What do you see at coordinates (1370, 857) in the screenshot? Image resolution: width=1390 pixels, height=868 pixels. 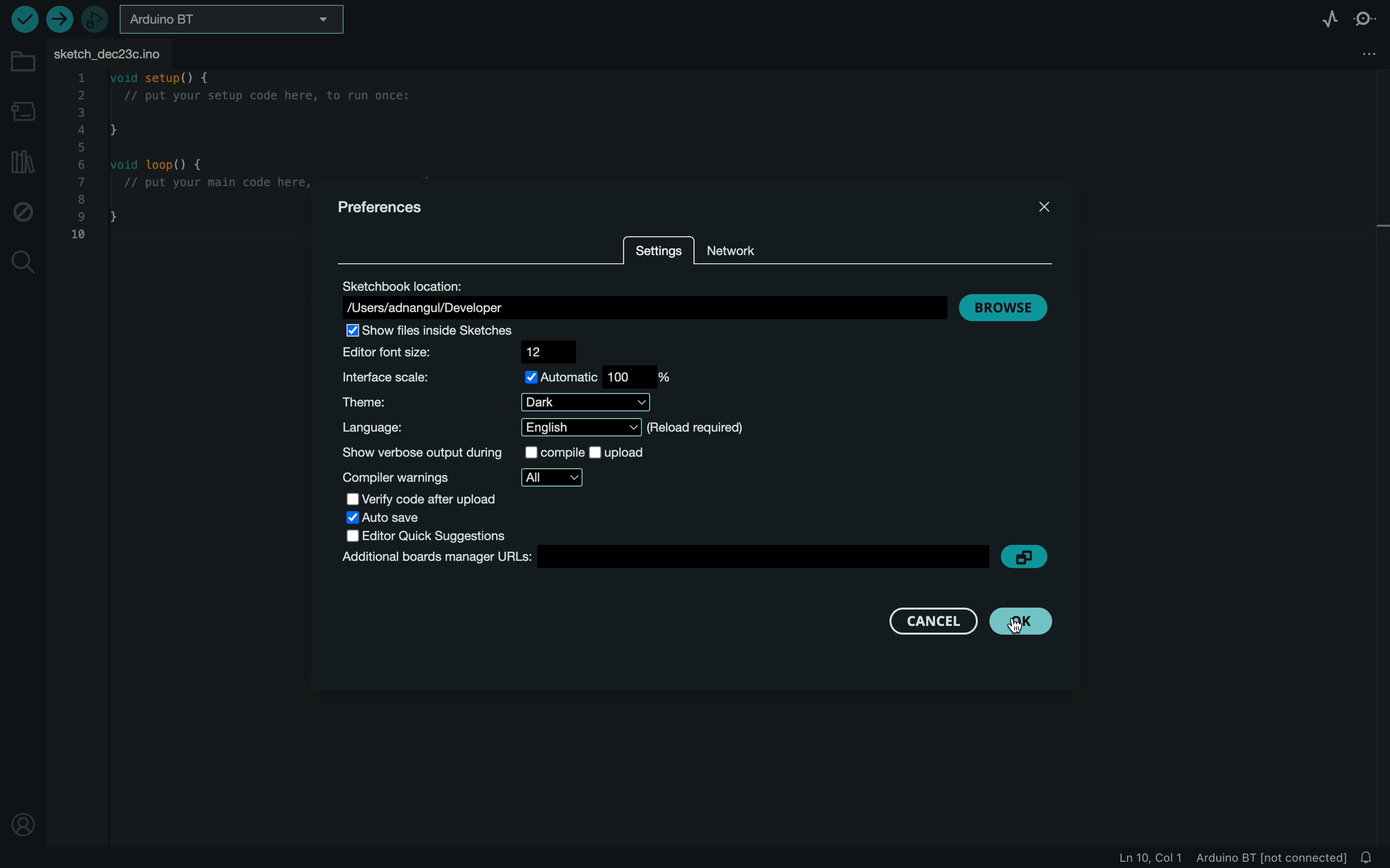 I see `notification` at bounding box center [1370, 857].